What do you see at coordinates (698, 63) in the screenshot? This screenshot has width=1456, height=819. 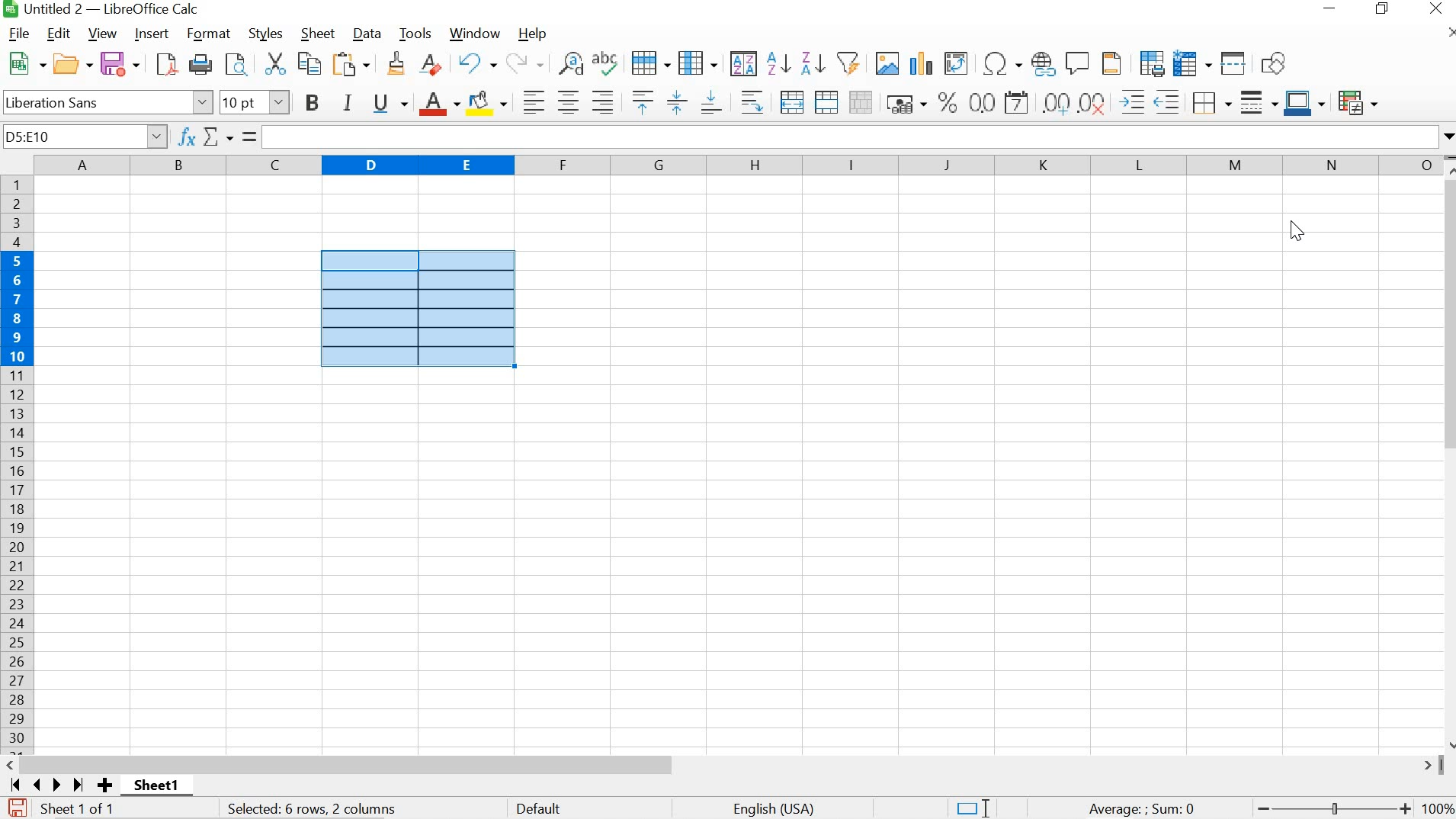 I see `COLUMN` at bounding box center [698, 63].